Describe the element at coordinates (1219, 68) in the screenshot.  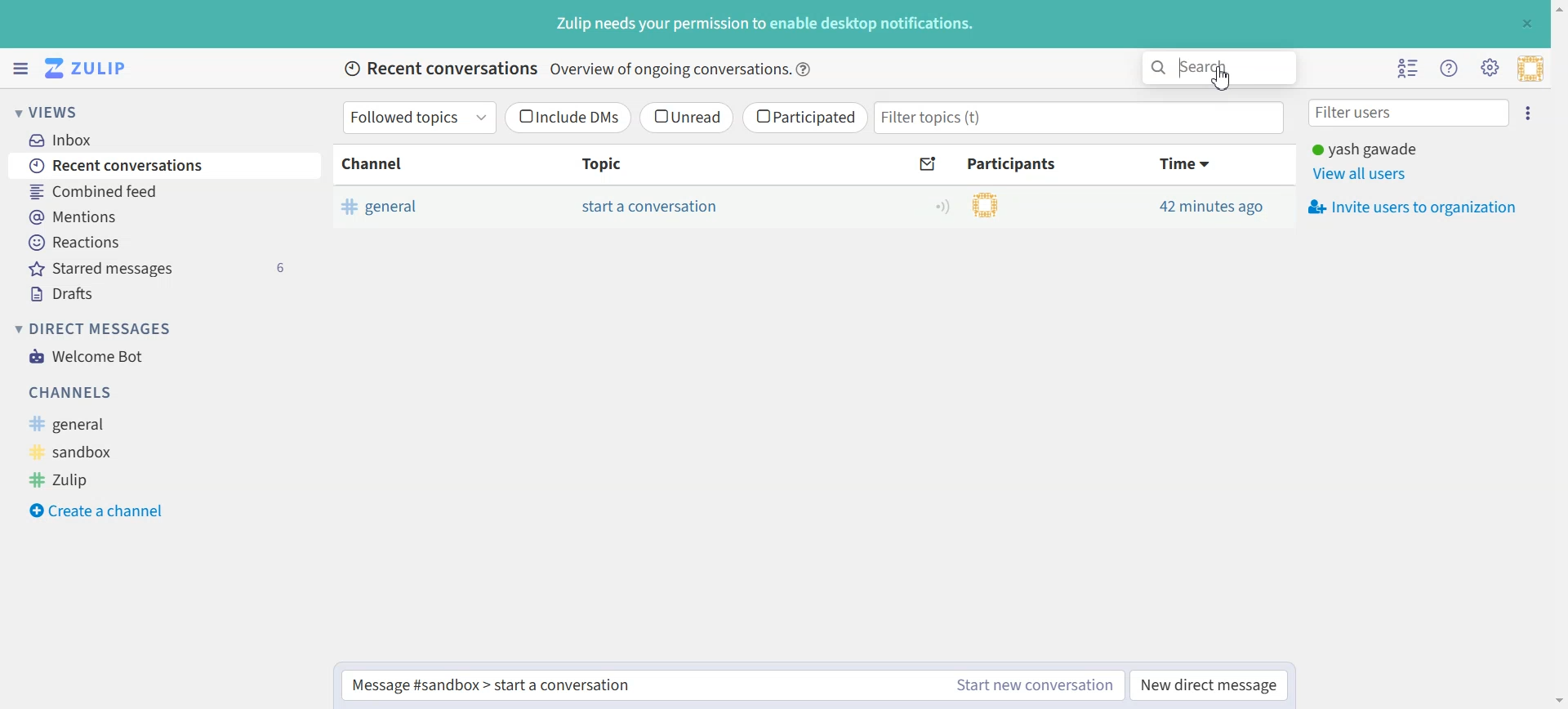
I see `Search Bar` at that location.